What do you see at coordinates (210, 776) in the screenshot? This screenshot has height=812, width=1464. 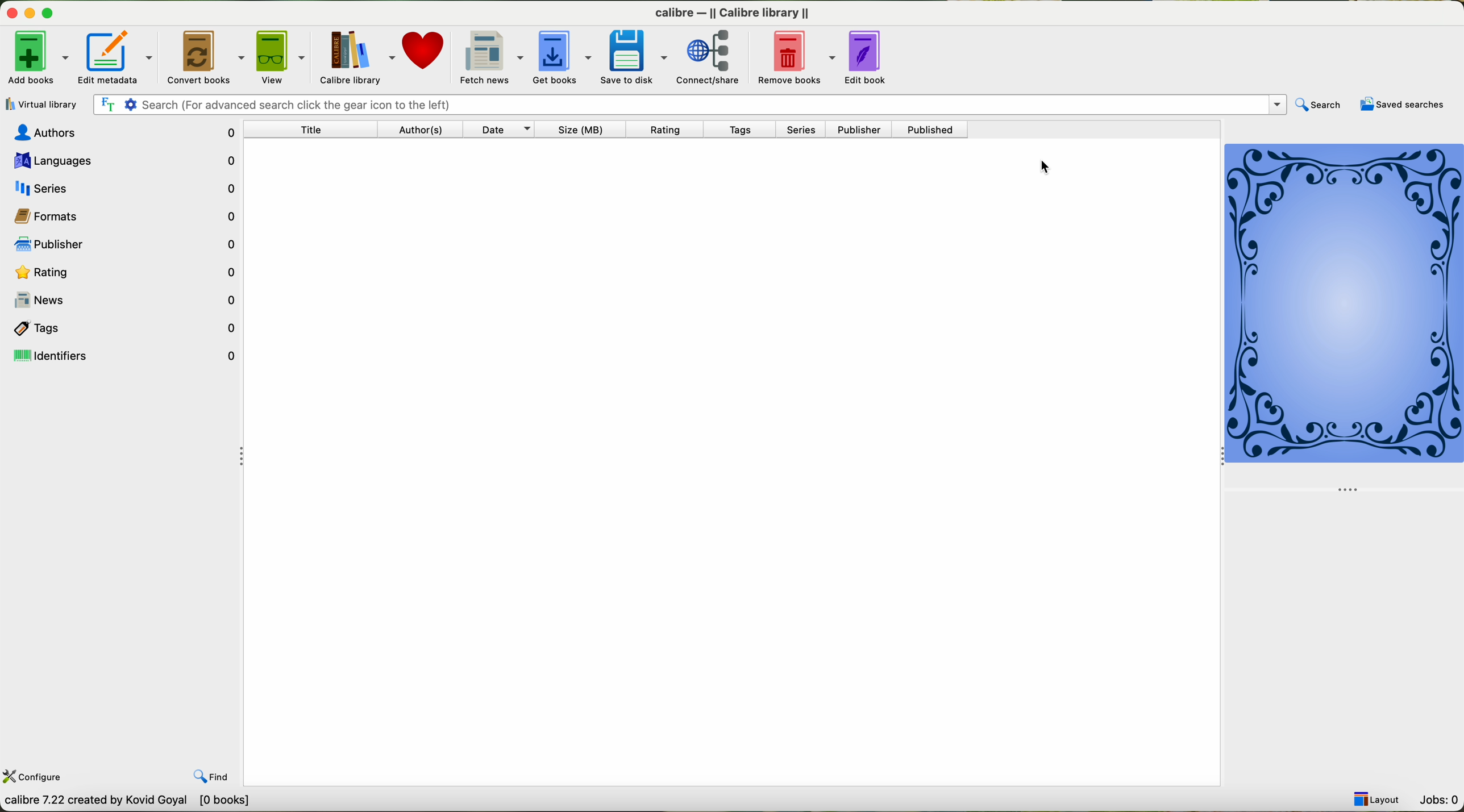 I see `find` at bounding box center [210, 776].